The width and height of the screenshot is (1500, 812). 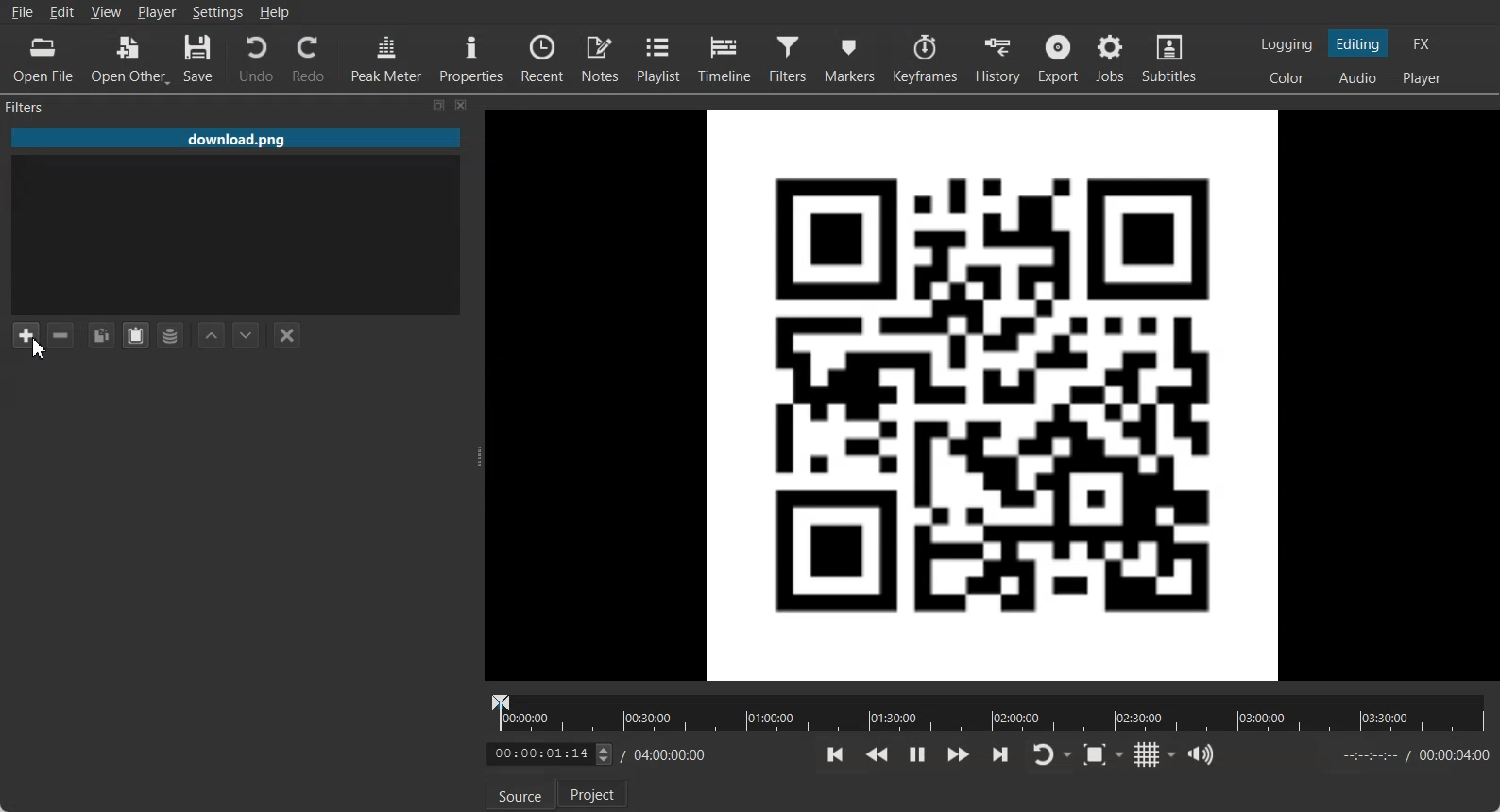 What do you see at coordinates (661, 58) in the screenshot?
I see `Playlist` at bounding box center [661, 58].